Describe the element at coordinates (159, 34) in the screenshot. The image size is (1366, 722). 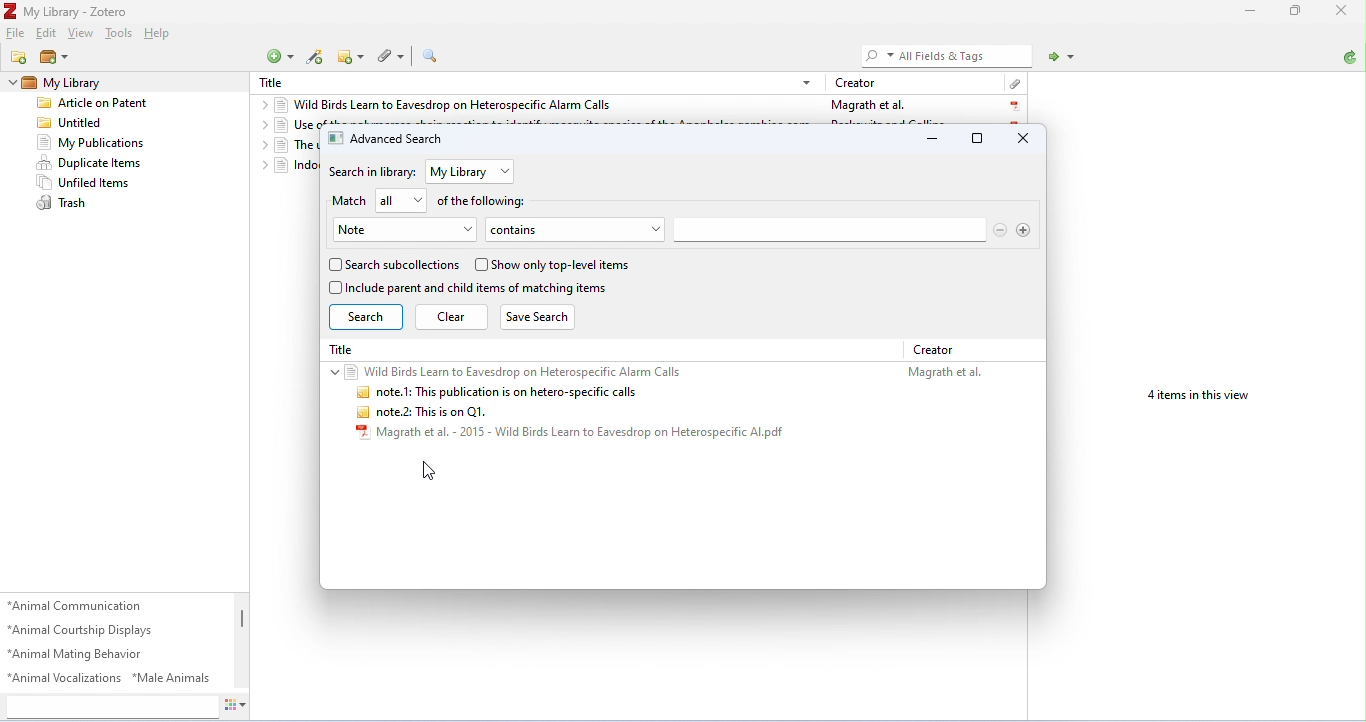
I see `help` at that location.